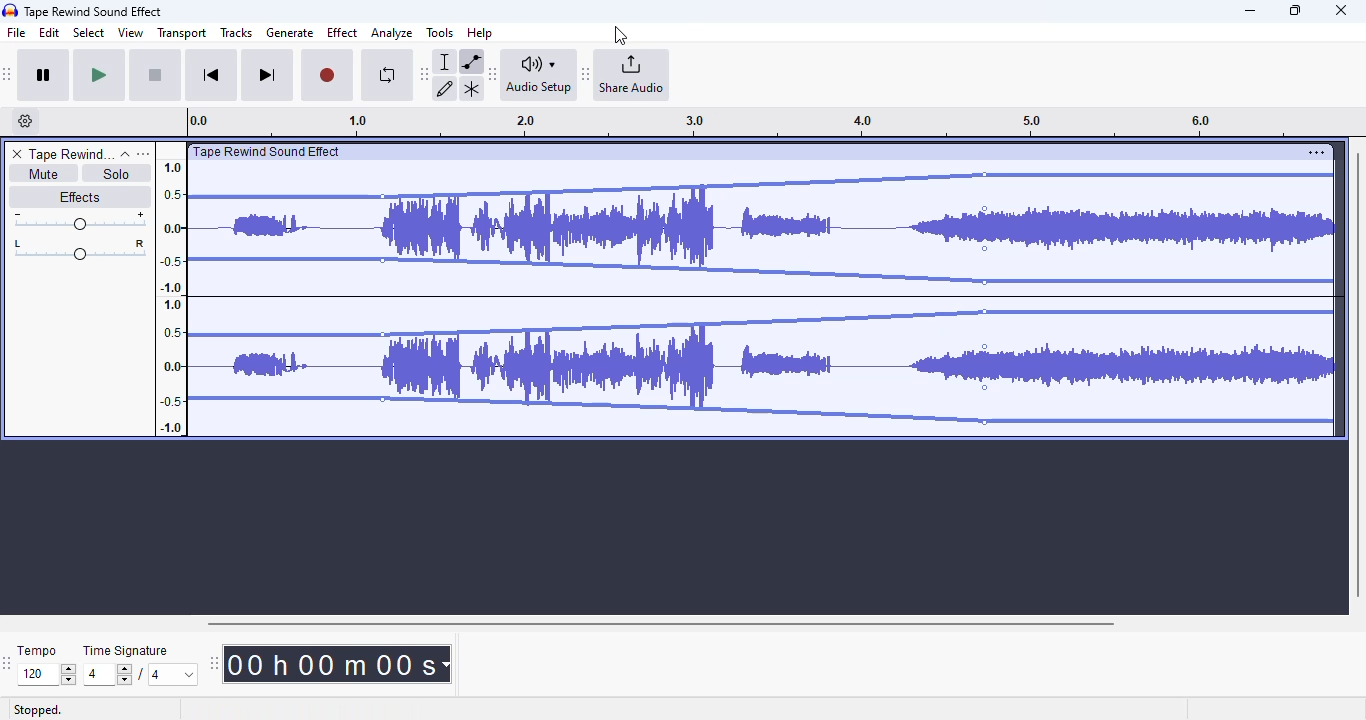 The image size is (1366, 720). I want to click on mute, so click(42, 174).